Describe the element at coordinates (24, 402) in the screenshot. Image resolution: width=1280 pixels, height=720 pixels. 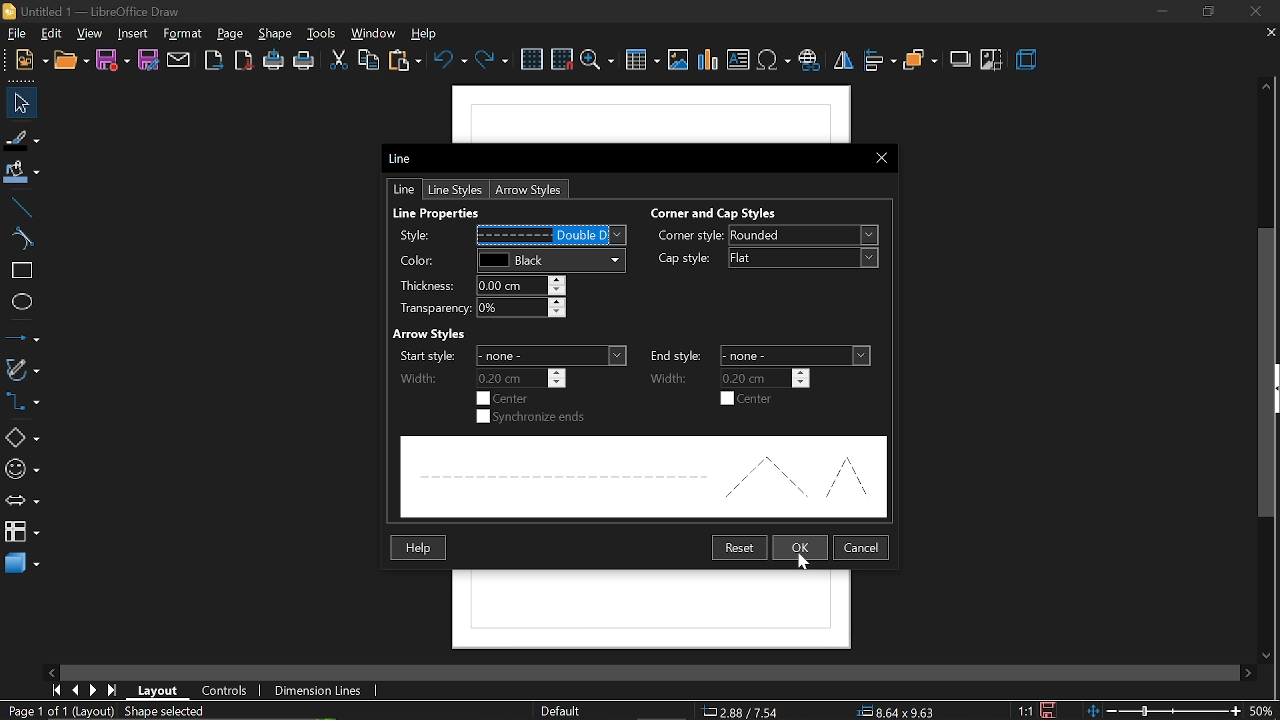
I see `connectors` at that location.